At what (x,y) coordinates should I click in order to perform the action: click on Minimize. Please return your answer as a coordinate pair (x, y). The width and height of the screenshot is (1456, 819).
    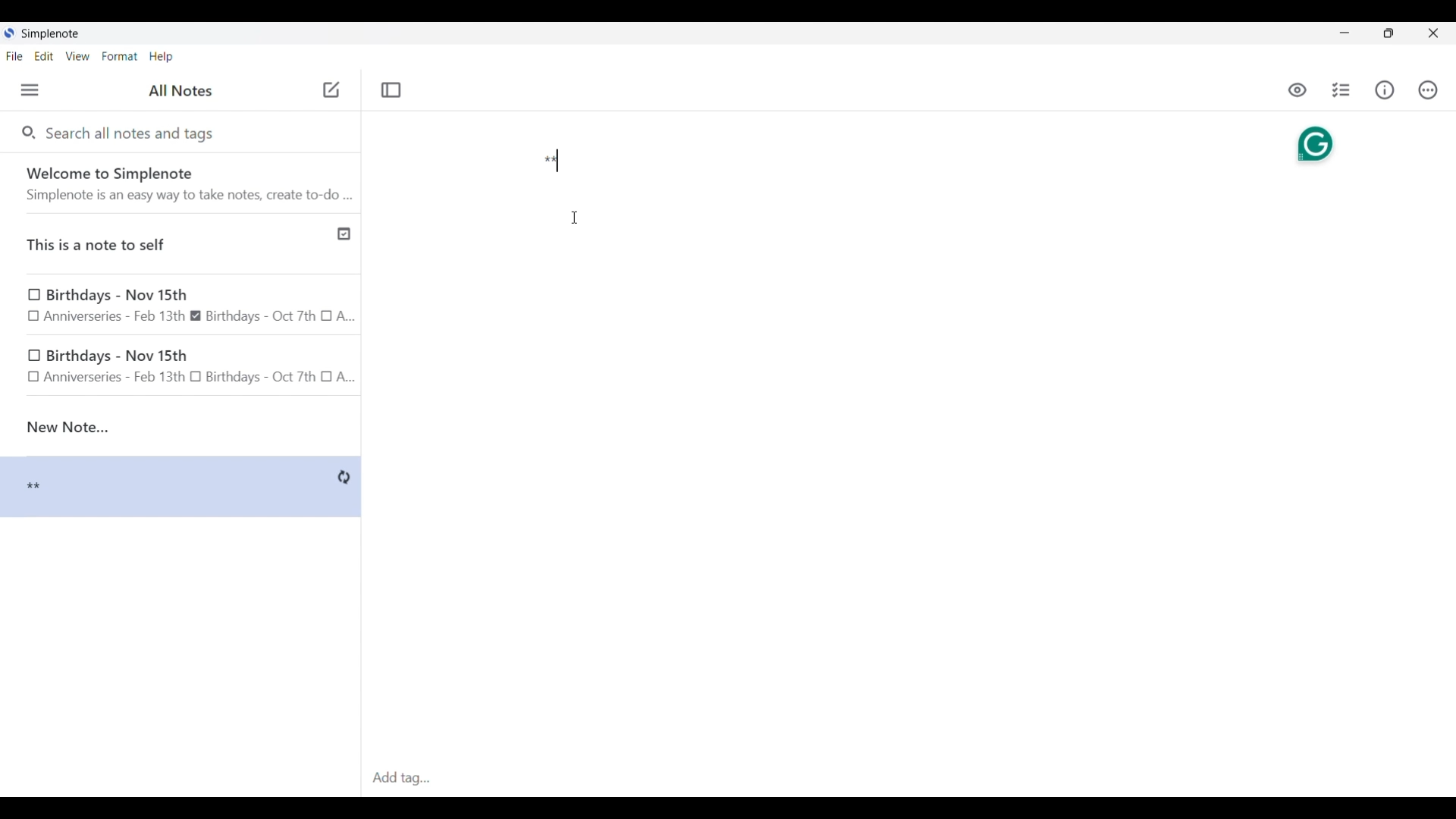
    Looking at the image, I should click on (1345, 33).